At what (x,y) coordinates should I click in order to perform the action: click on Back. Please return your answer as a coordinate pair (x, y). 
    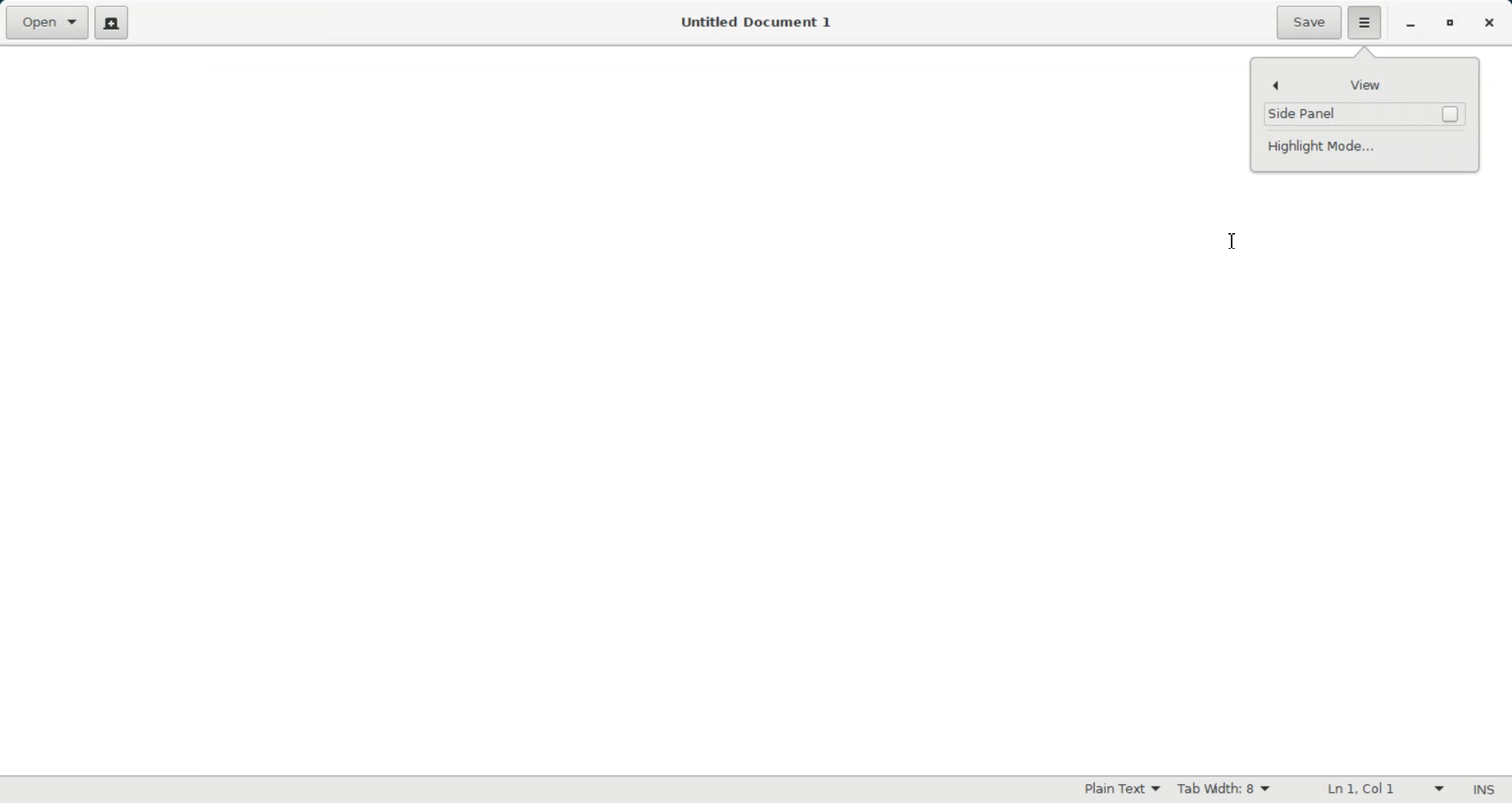
    Looking at the image, I should click on (1278, 85).